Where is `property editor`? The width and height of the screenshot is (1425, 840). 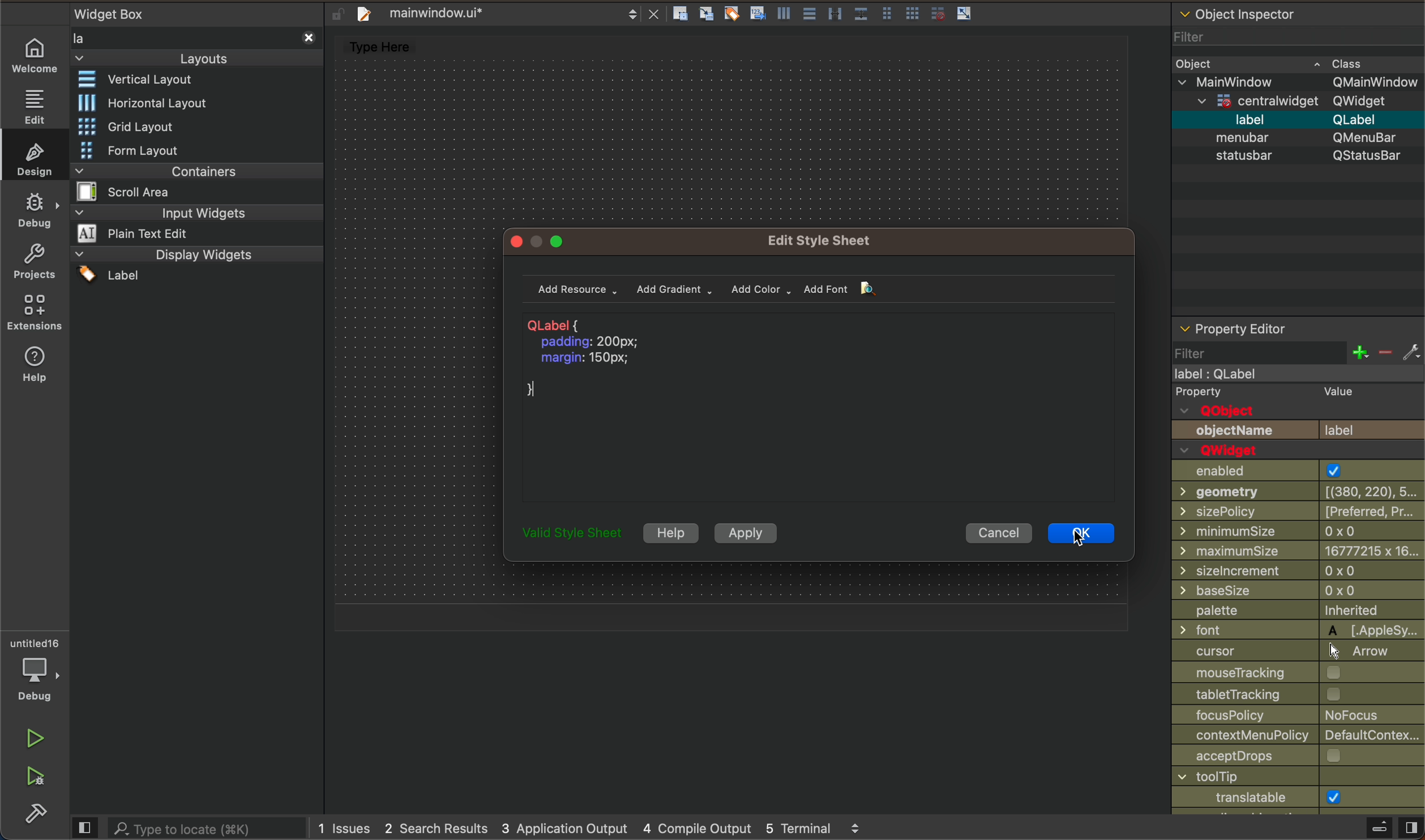 property editor is located at coordinates (1250, 328).